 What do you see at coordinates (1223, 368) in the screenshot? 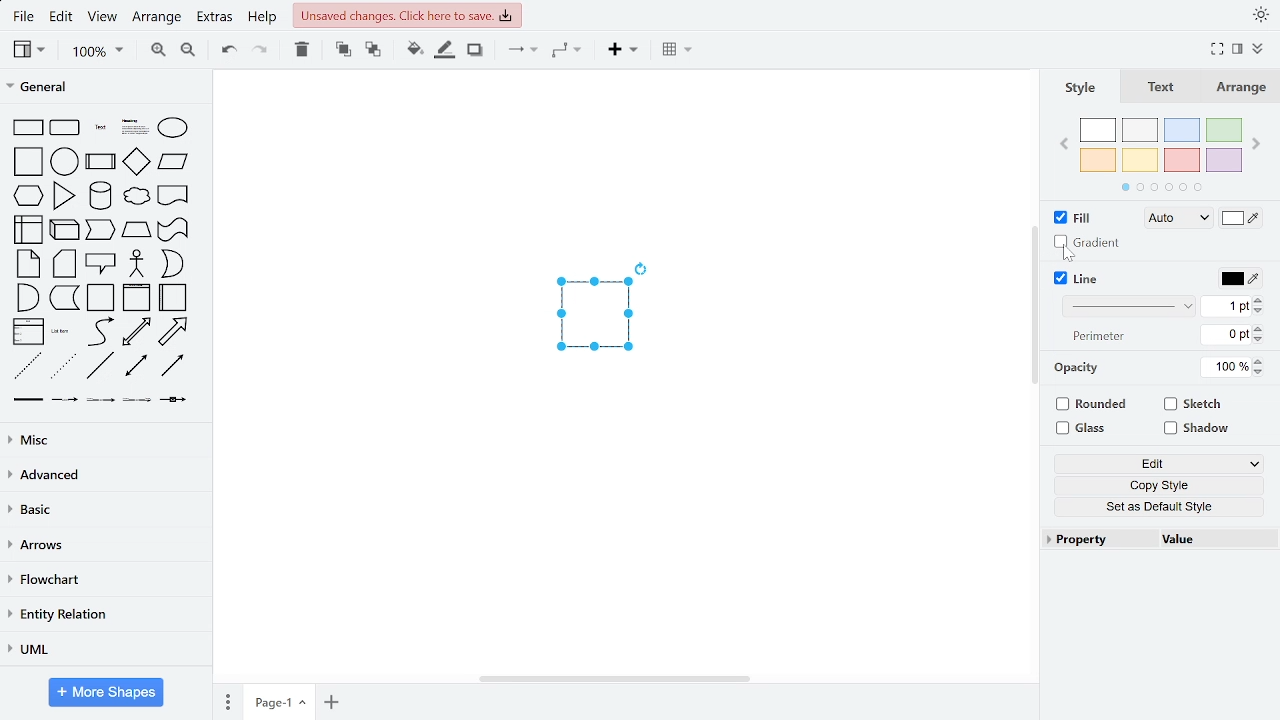
I see `current opacity` at bounding box center [1223, 368].